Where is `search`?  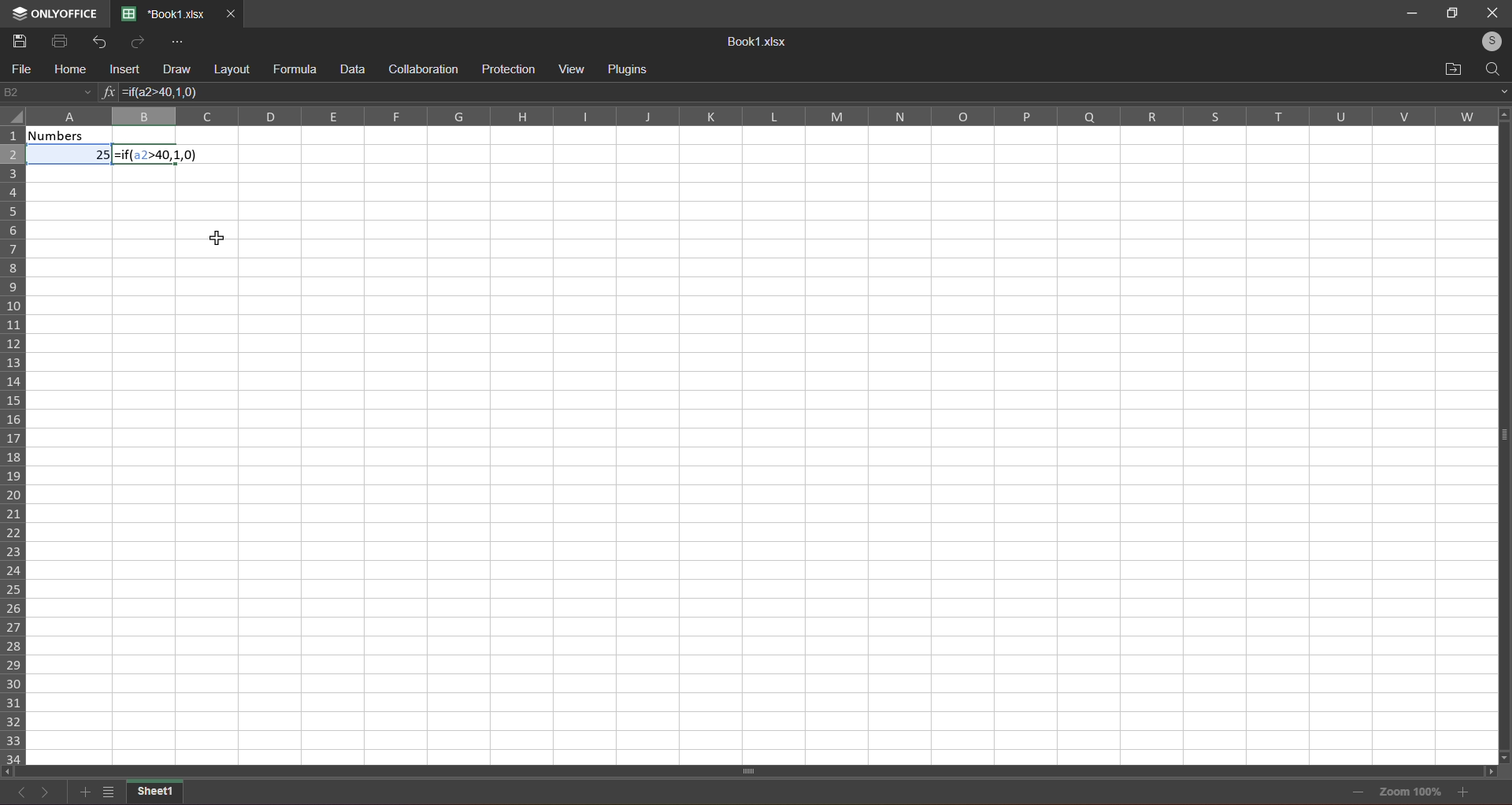
search is located at coordinates (1494, 67).